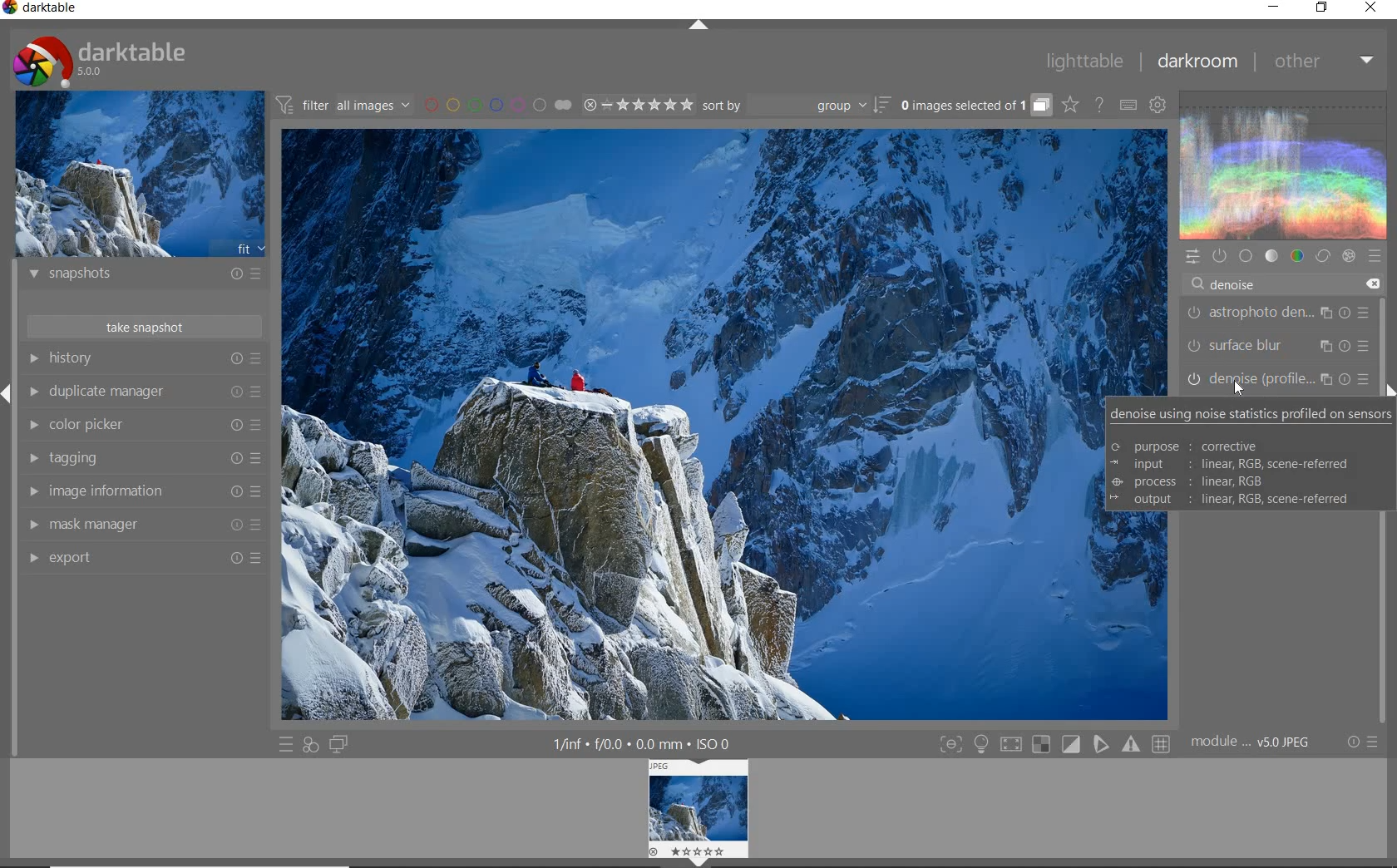 The image size is (1397, 868). What do you see at coordinates (1255, 742) in the screenshot?
I see `module..v50JPEG` at bounding box center [1255, 742].